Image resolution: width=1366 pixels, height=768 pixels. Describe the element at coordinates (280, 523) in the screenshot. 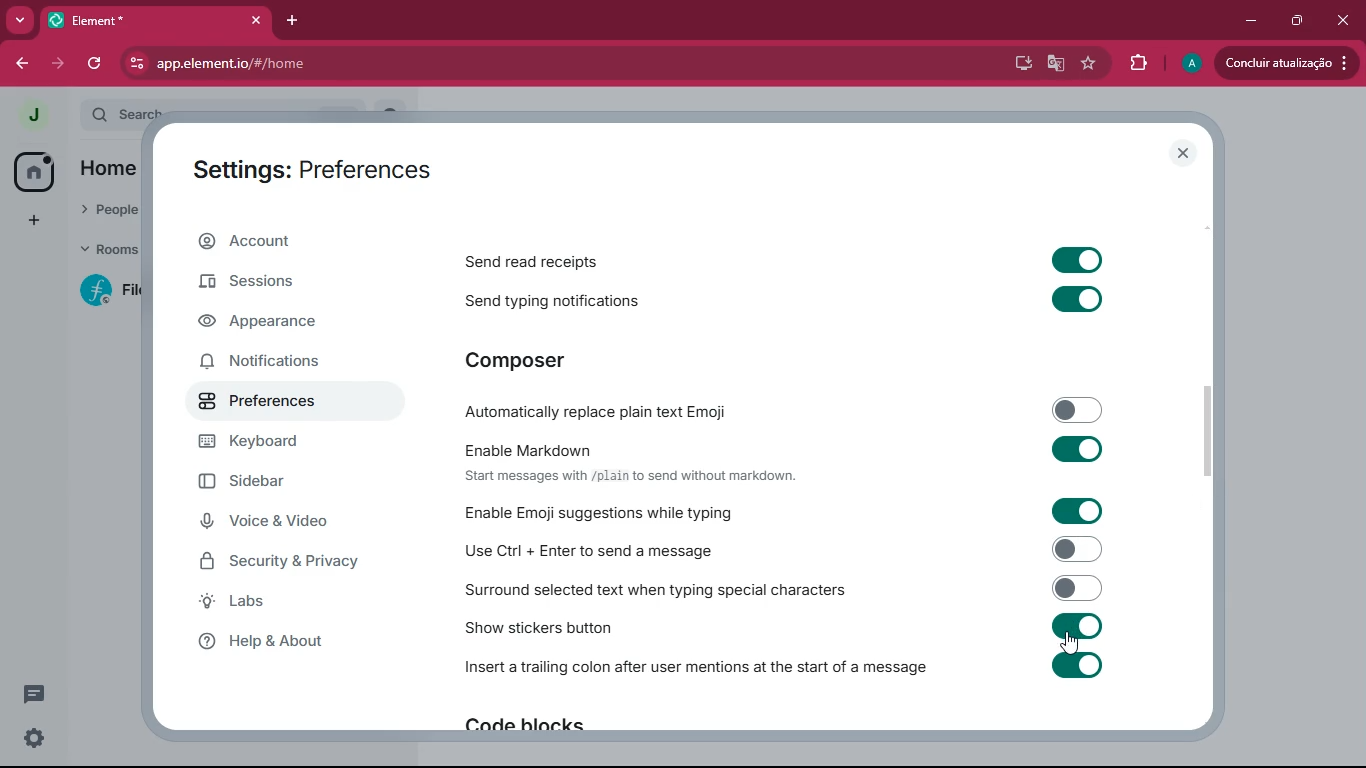

I see `voice & video` at that location.